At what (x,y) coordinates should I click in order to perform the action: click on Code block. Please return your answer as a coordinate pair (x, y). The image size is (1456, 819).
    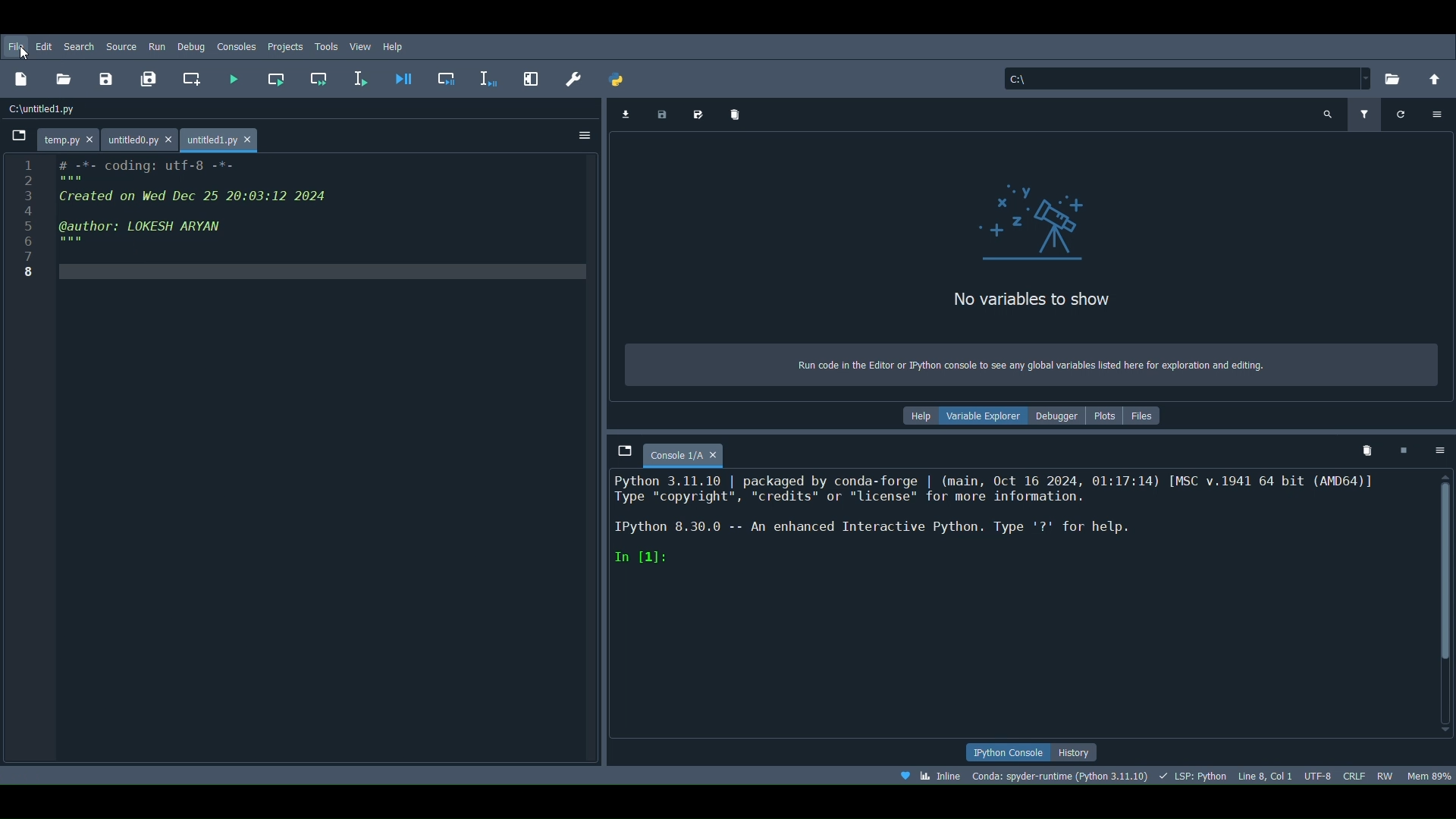
    Looking at the image, I should click on (301, 457).